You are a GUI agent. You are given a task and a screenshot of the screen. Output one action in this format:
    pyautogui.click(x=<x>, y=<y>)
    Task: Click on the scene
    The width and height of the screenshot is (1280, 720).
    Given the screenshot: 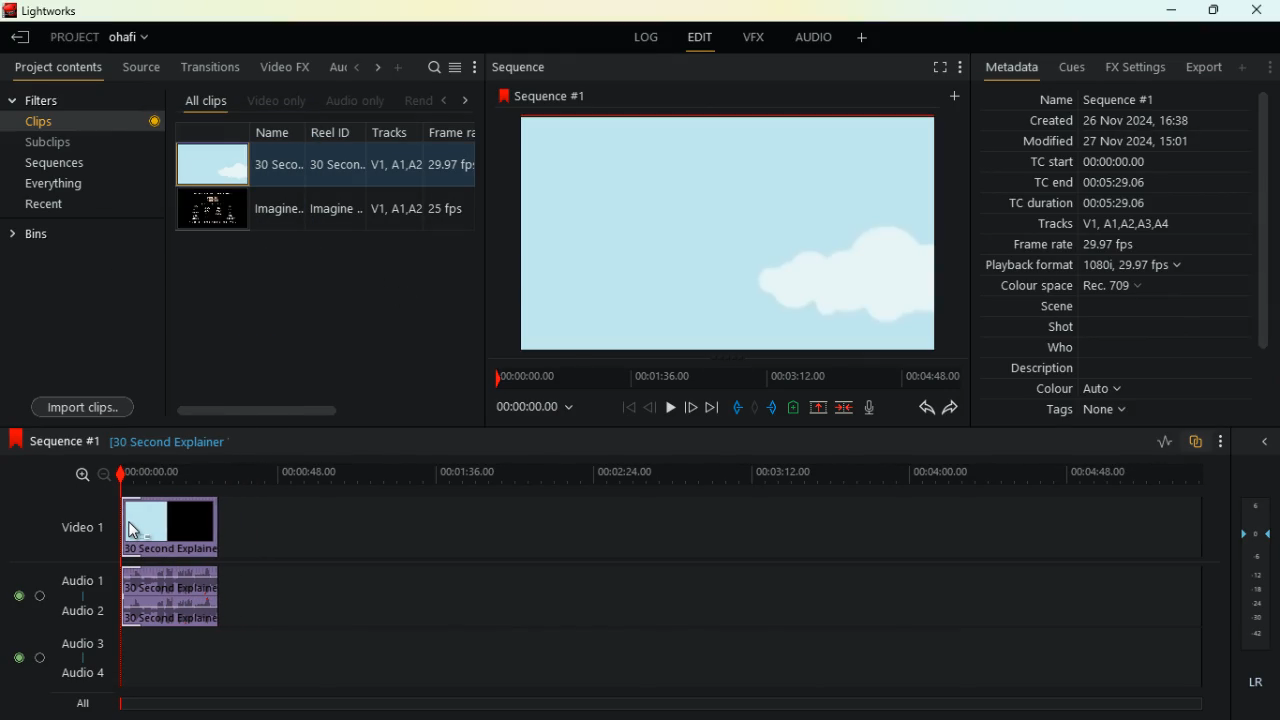 What is the action you would take?
    pyautogui.click(x=1062, y=308)
    